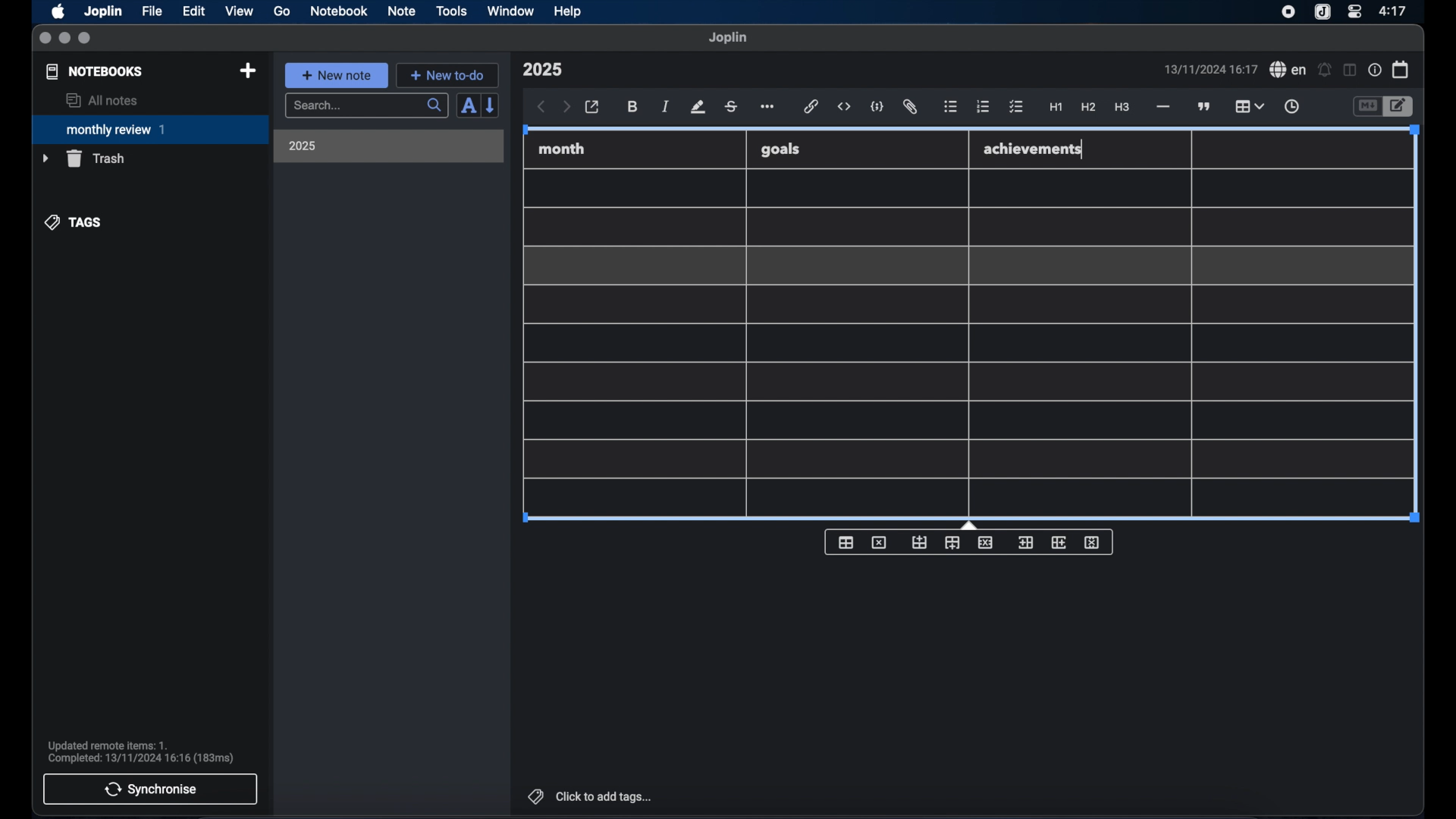 Image resolution: width=1456 pixels, height=819 pixels. Describe the element at coordinates (879, 543) in the screenshot. I see `delete table` at that location.